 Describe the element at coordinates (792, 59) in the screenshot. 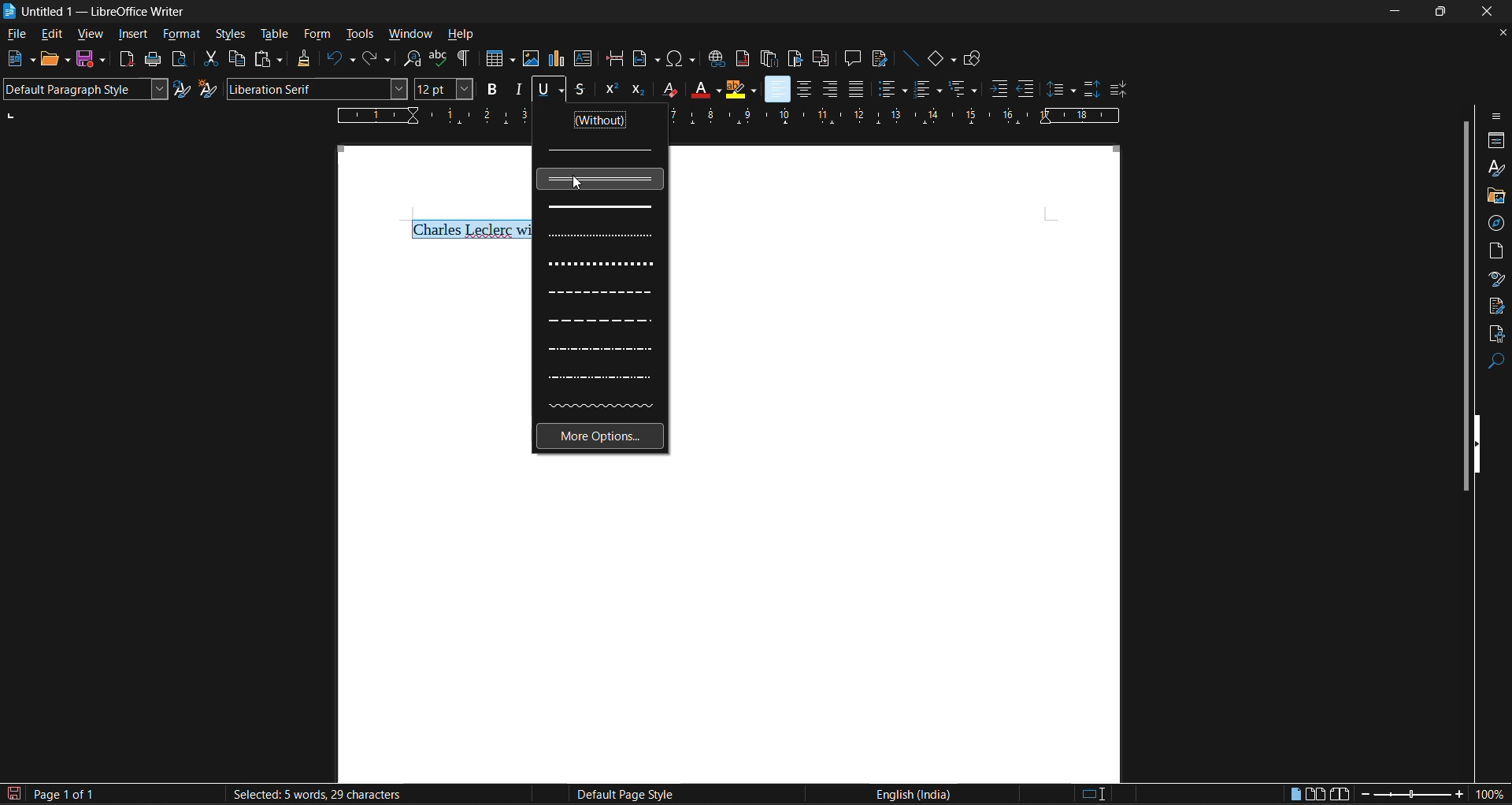

I see `insert bookmark` at that location.